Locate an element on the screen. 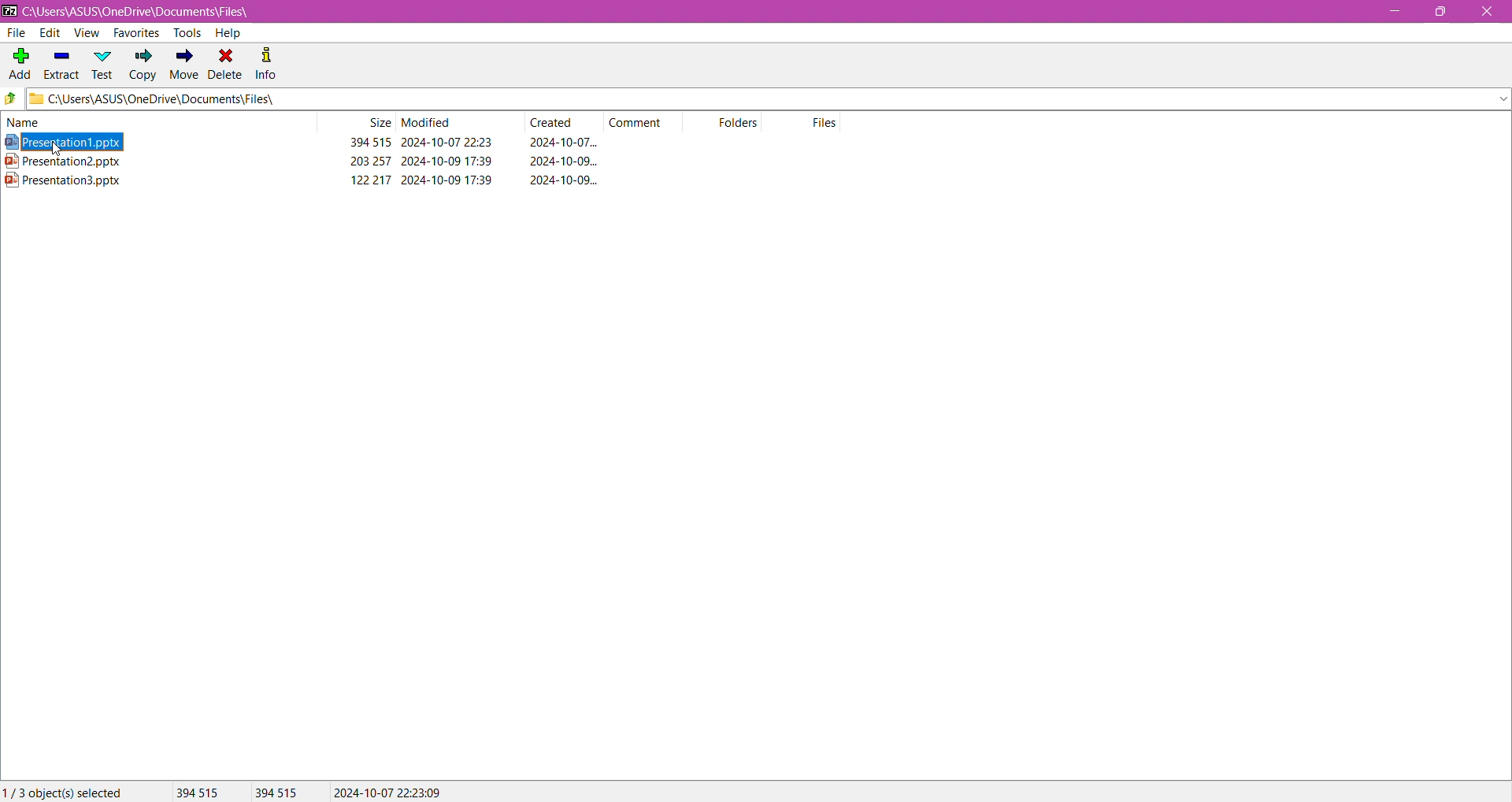 This screenshot has width=1512, height=802. Favorites is located at coordinates (135, 34).